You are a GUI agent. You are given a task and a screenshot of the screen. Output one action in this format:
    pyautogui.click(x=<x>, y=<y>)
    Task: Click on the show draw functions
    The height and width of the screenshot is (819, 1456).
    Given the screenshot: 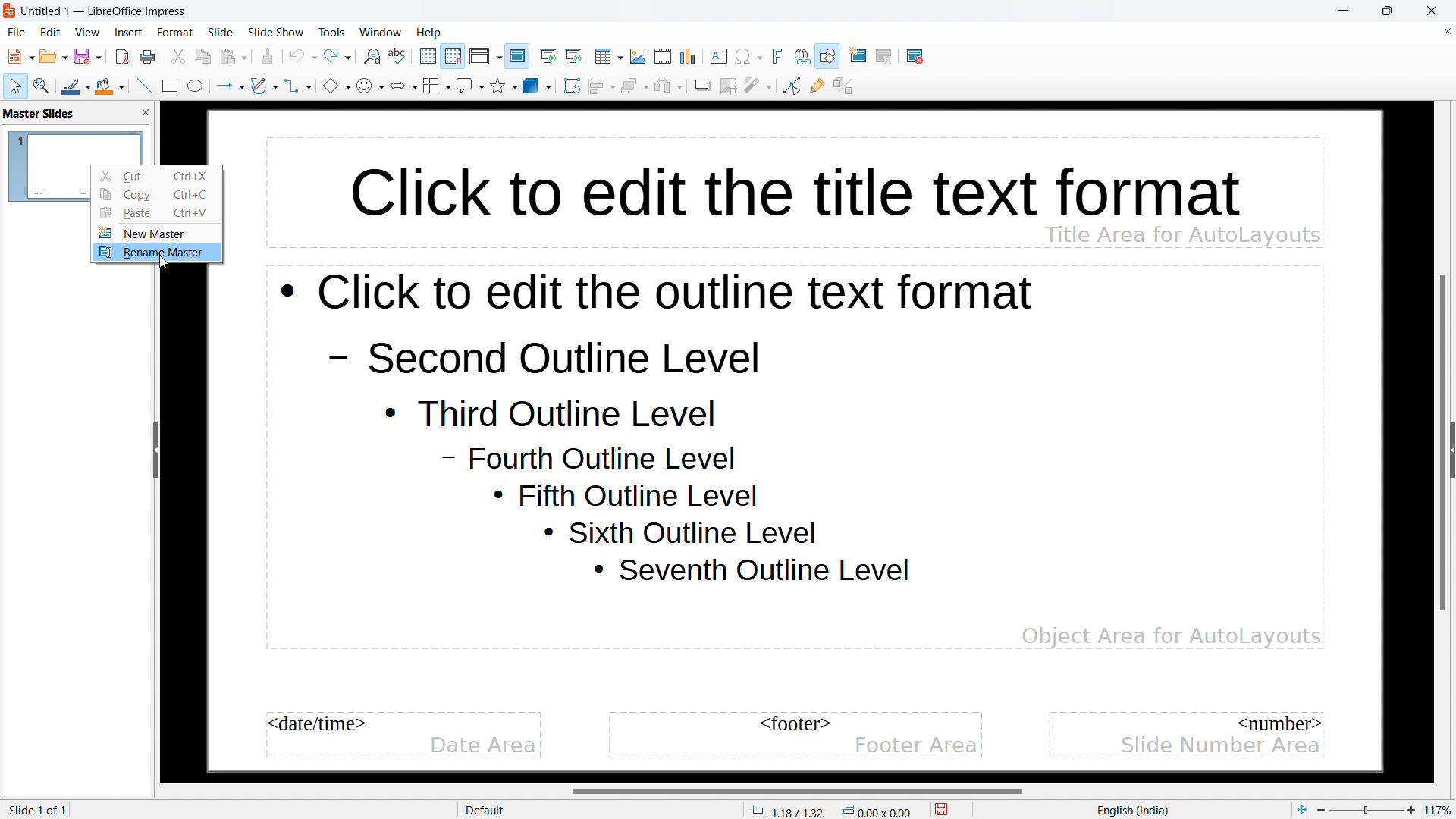 What is the action you would take?
    pyautogui.click(x=828, y=56)
    